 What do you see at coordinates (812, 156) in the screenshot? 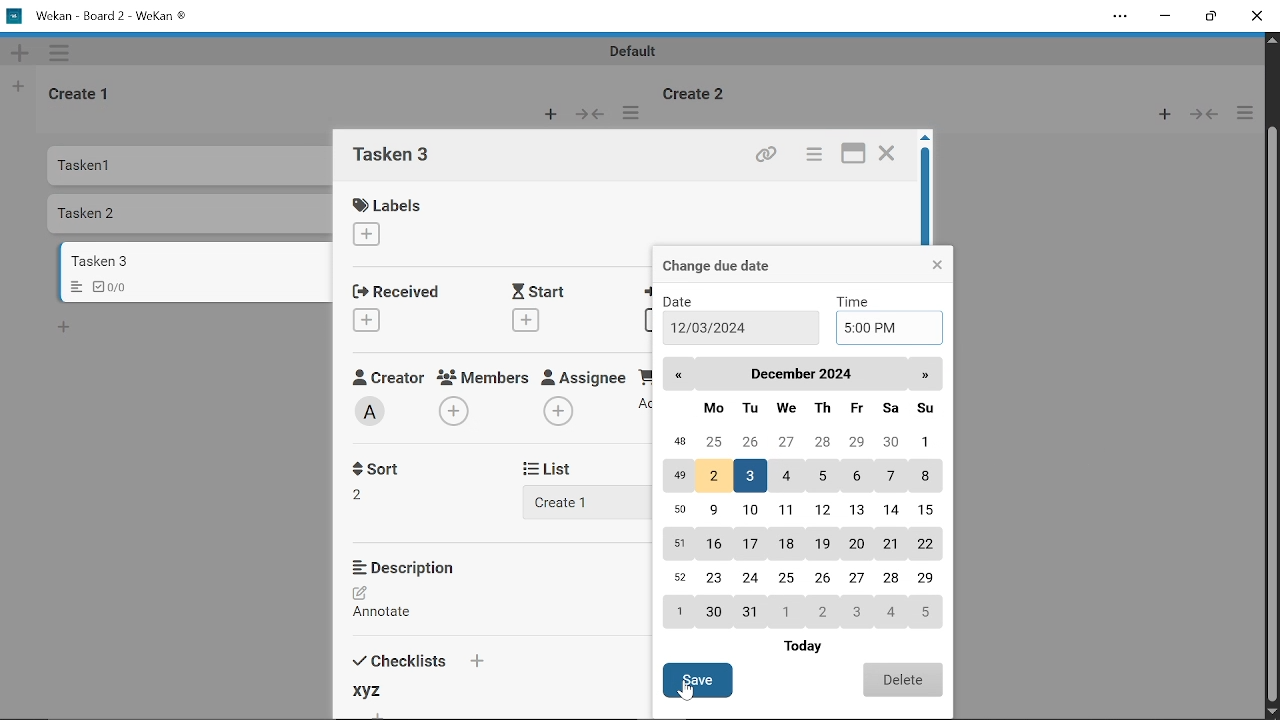
I see `Card actions` at bounding box center [812, 156].